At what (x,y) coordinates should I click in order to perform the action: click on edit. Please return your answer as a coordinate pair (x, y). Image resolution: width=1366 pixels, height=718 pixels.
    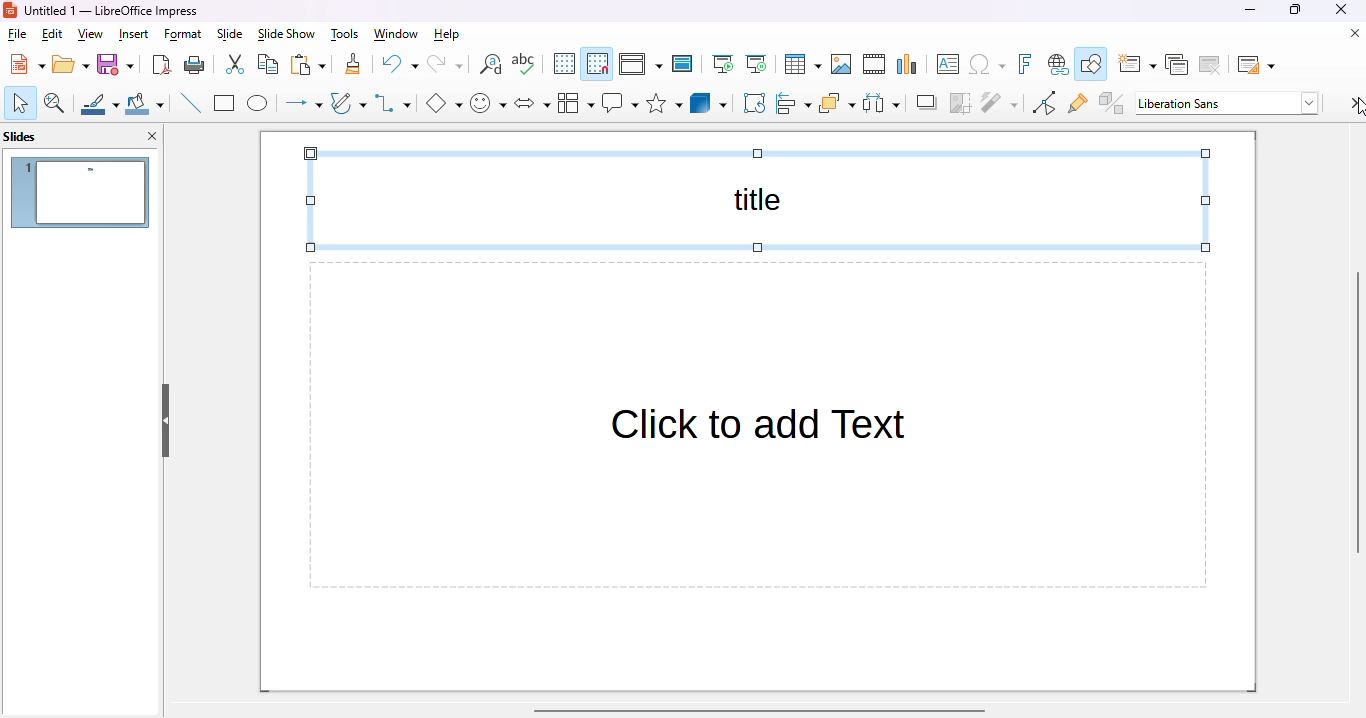
    Looking at the image, I should click on (53, 34).